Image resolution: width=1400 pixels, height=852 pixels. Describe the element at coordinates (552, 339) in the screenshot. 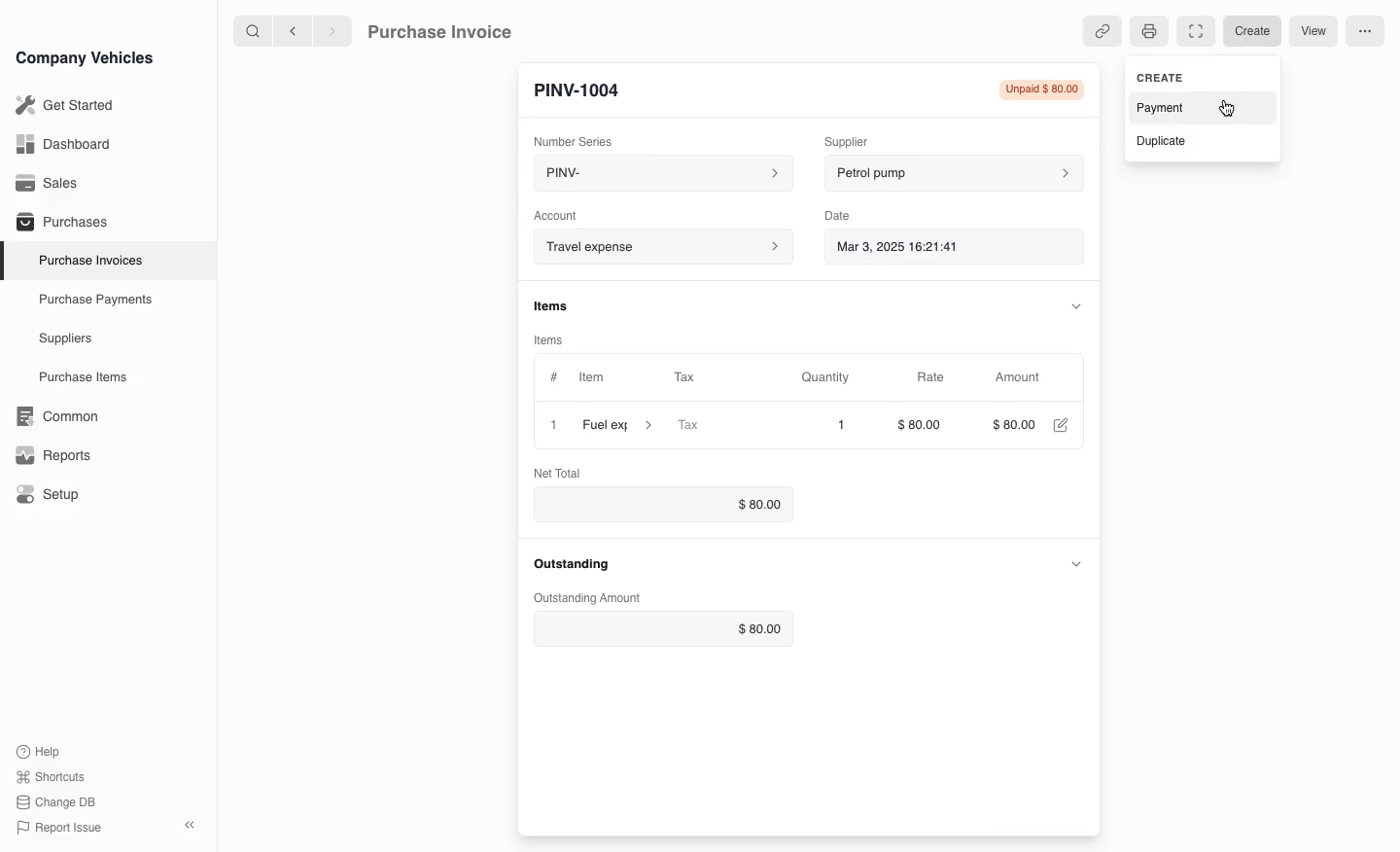

I see `items` at that location.